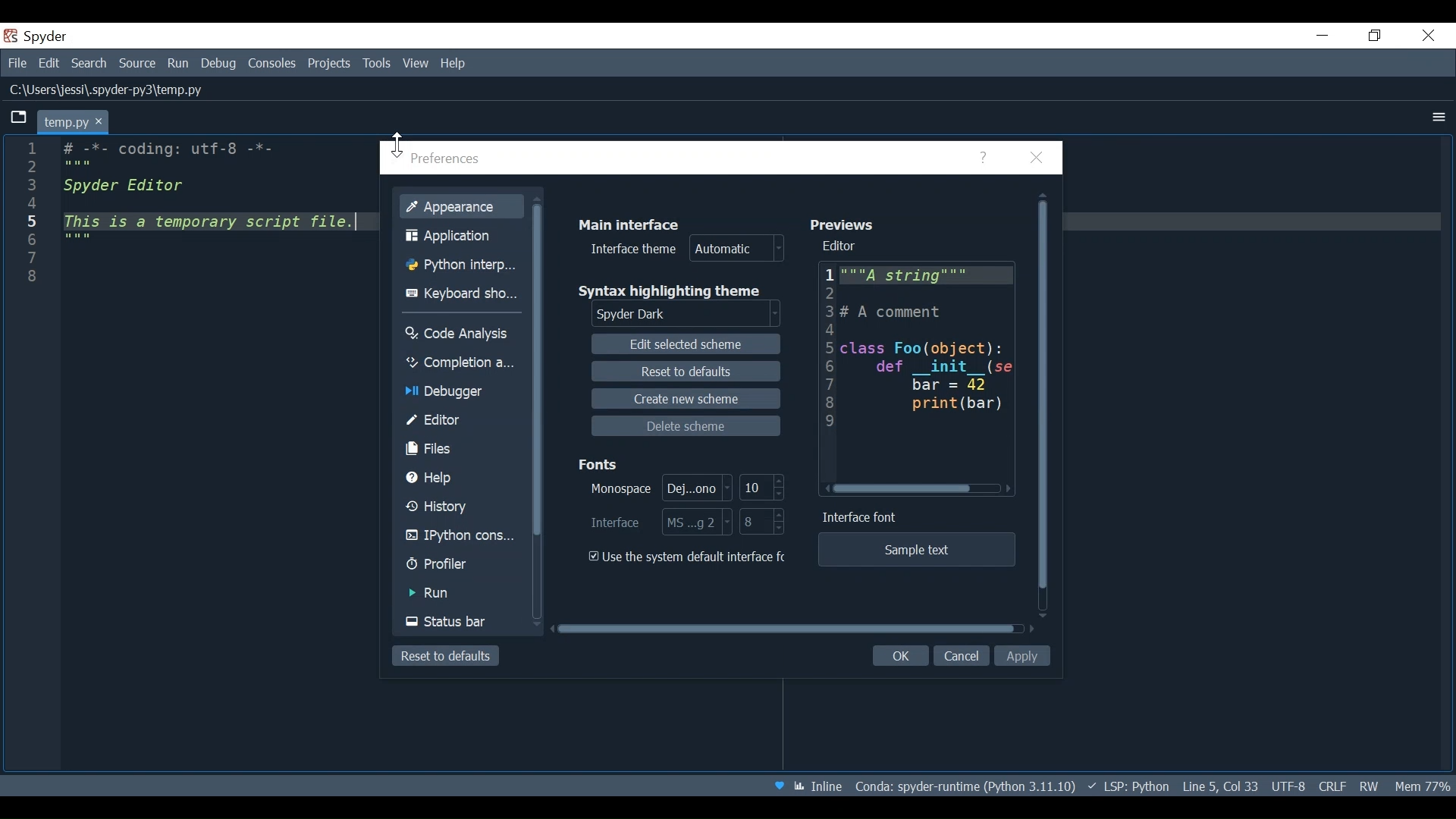 This screenshot has height=819, width=1456. I want to click on History, so click(462, 508).